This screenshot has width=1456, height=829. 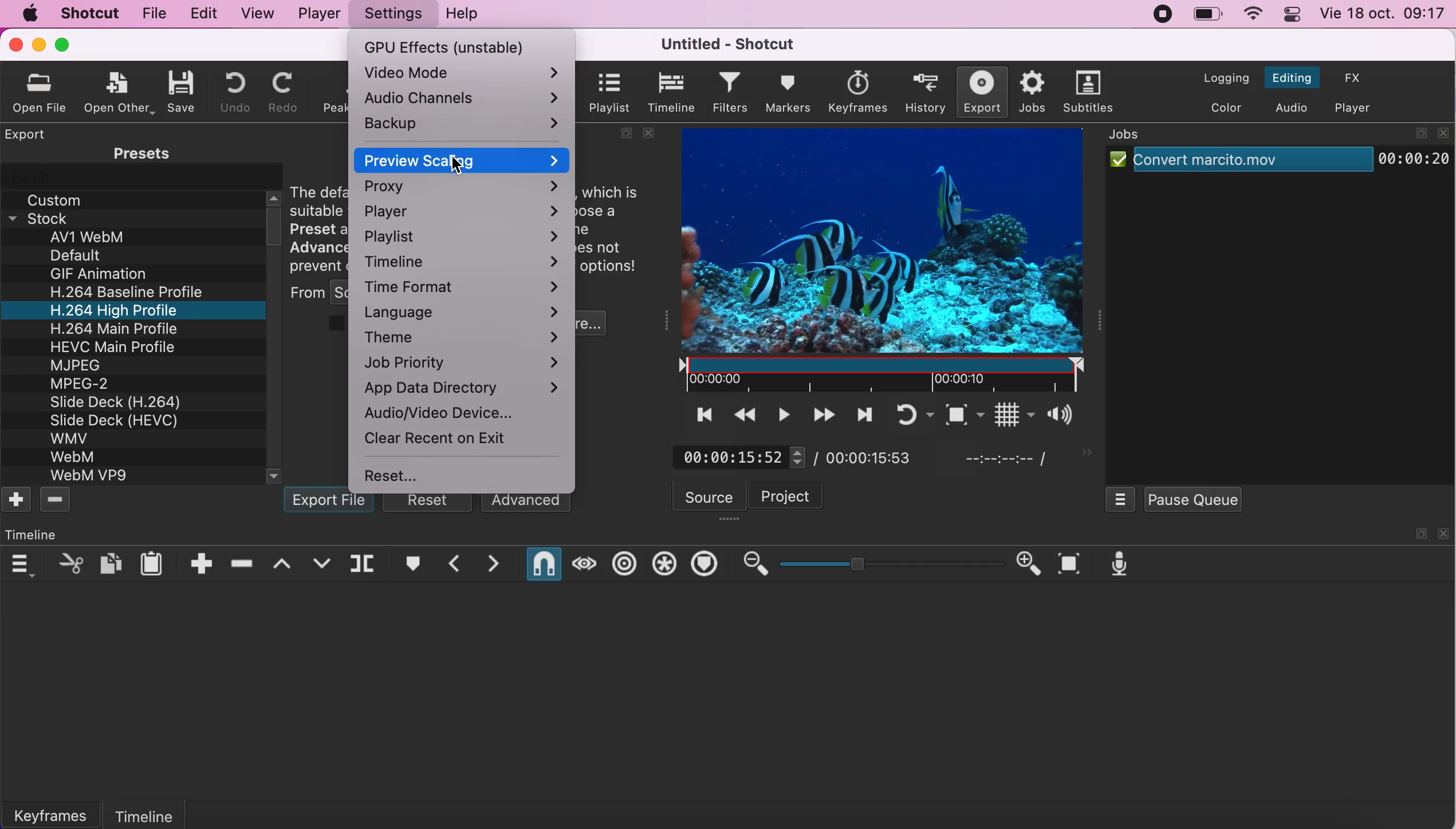 I want to click on switch to the editing layout, so click(x=1290, y=79).